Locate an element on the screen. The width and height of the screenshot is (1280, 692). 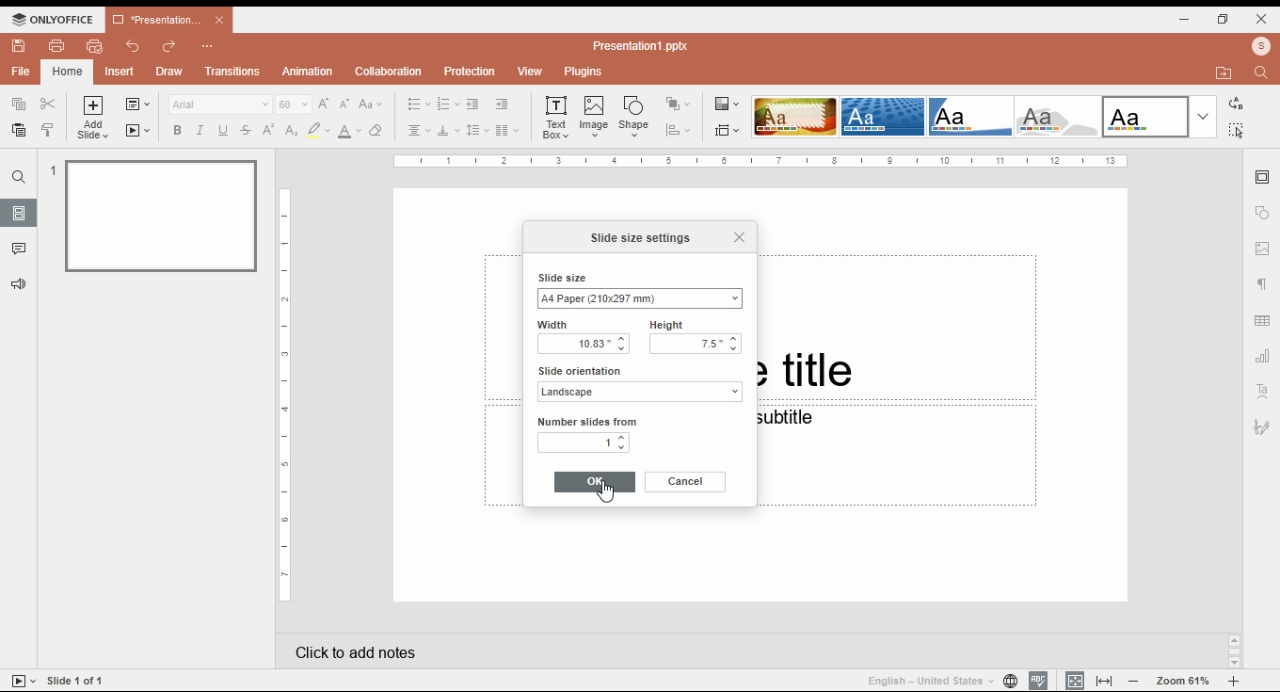
insert shape is located at coordinates (635, 116).